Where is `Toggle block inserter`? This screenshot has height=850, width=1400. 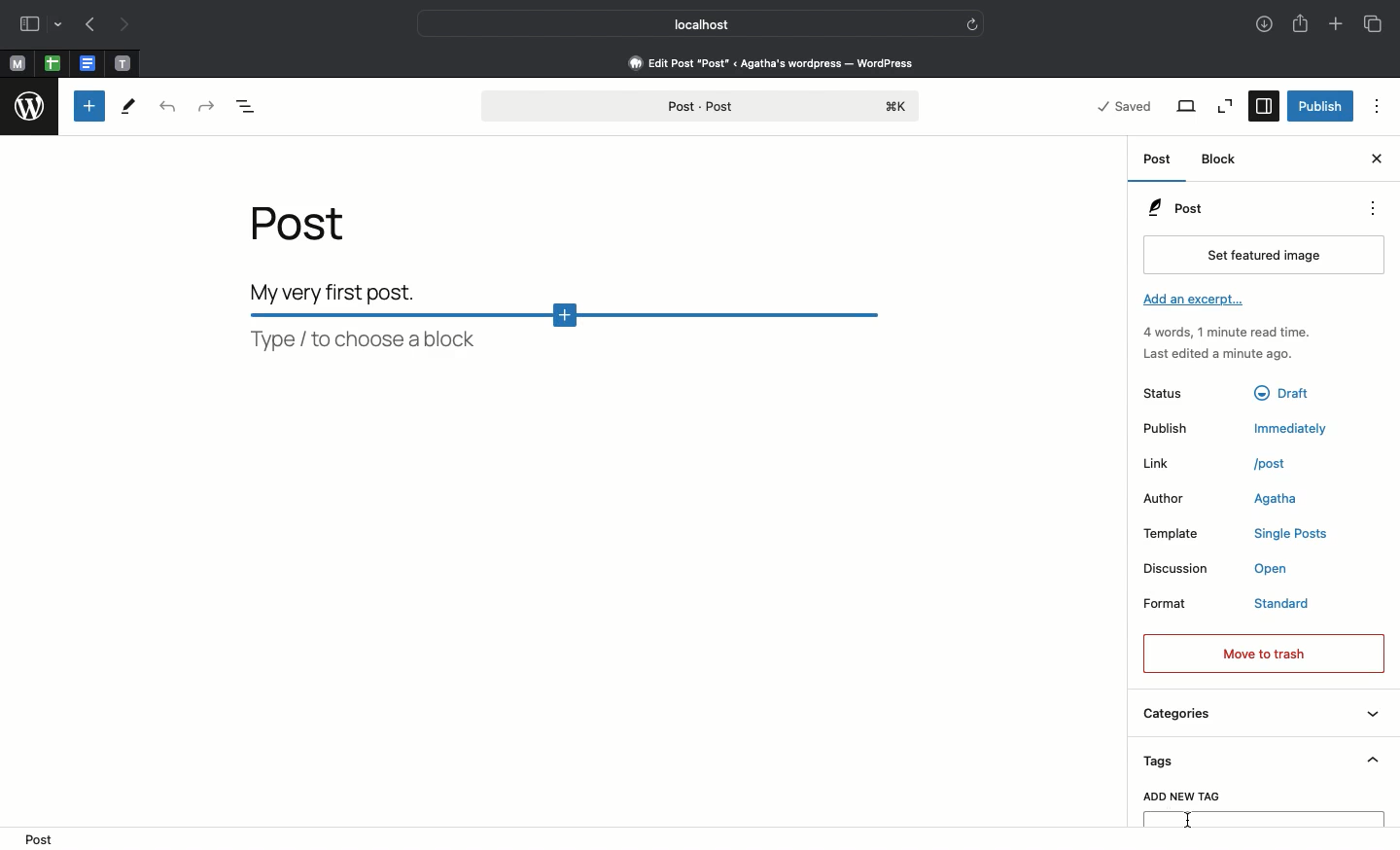 Toggle block inserter is located at coordinates (89, 107).